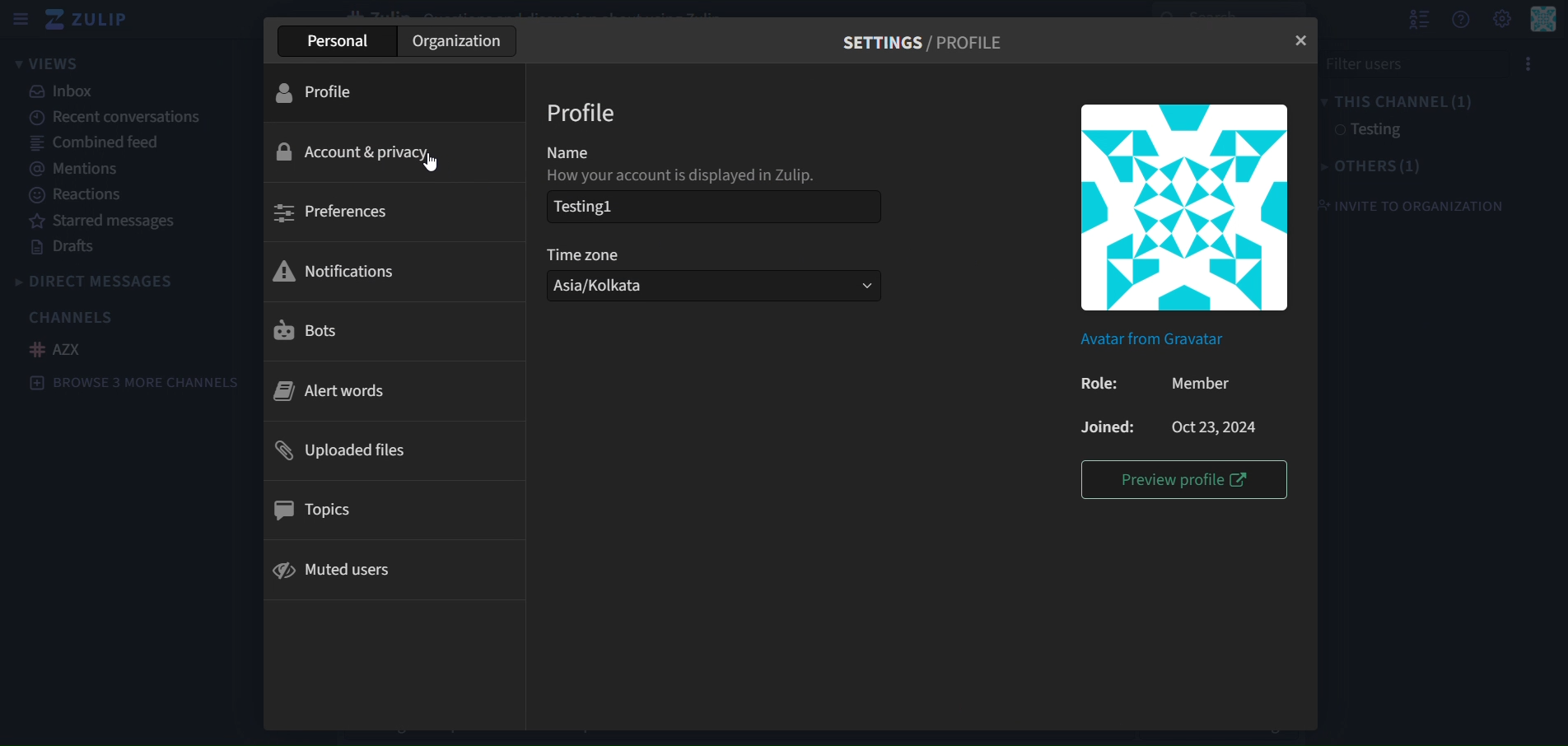  I want to click on Asia/Kolkata, so click(712, 285).